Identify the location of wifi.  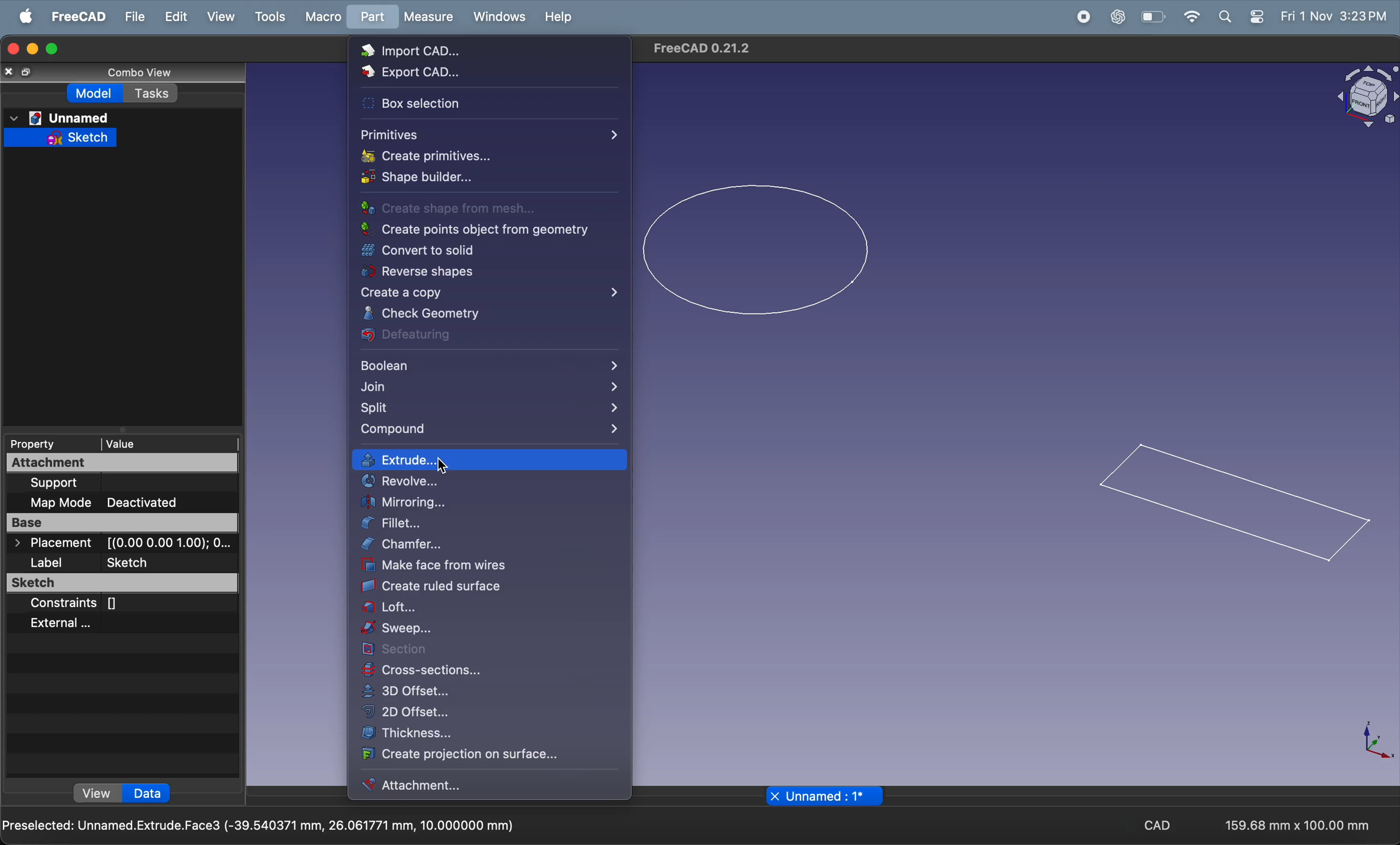
(1192, 16).